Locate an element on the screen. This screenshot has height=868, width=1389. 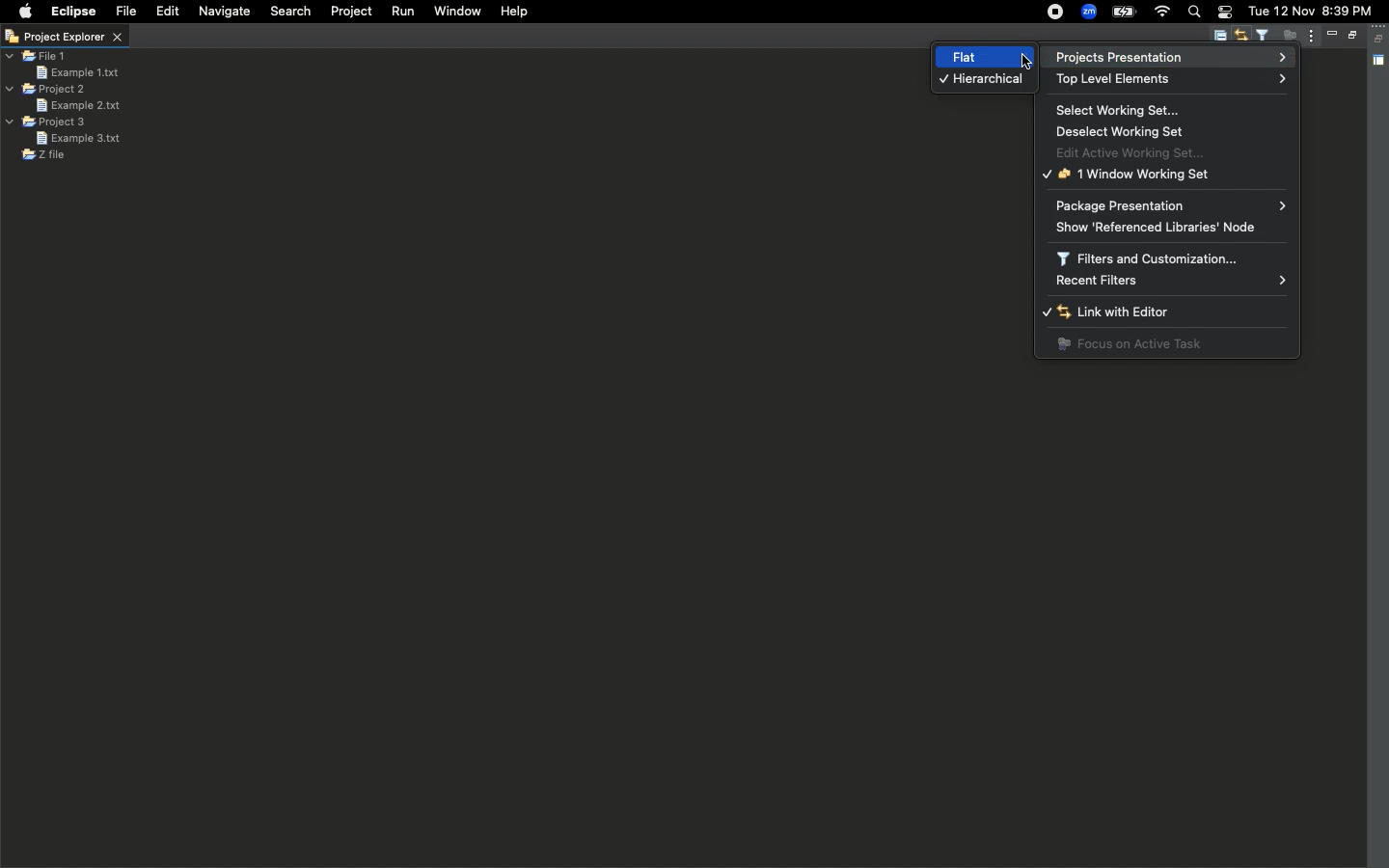
Project 3 is located at coordinates (48, 122).